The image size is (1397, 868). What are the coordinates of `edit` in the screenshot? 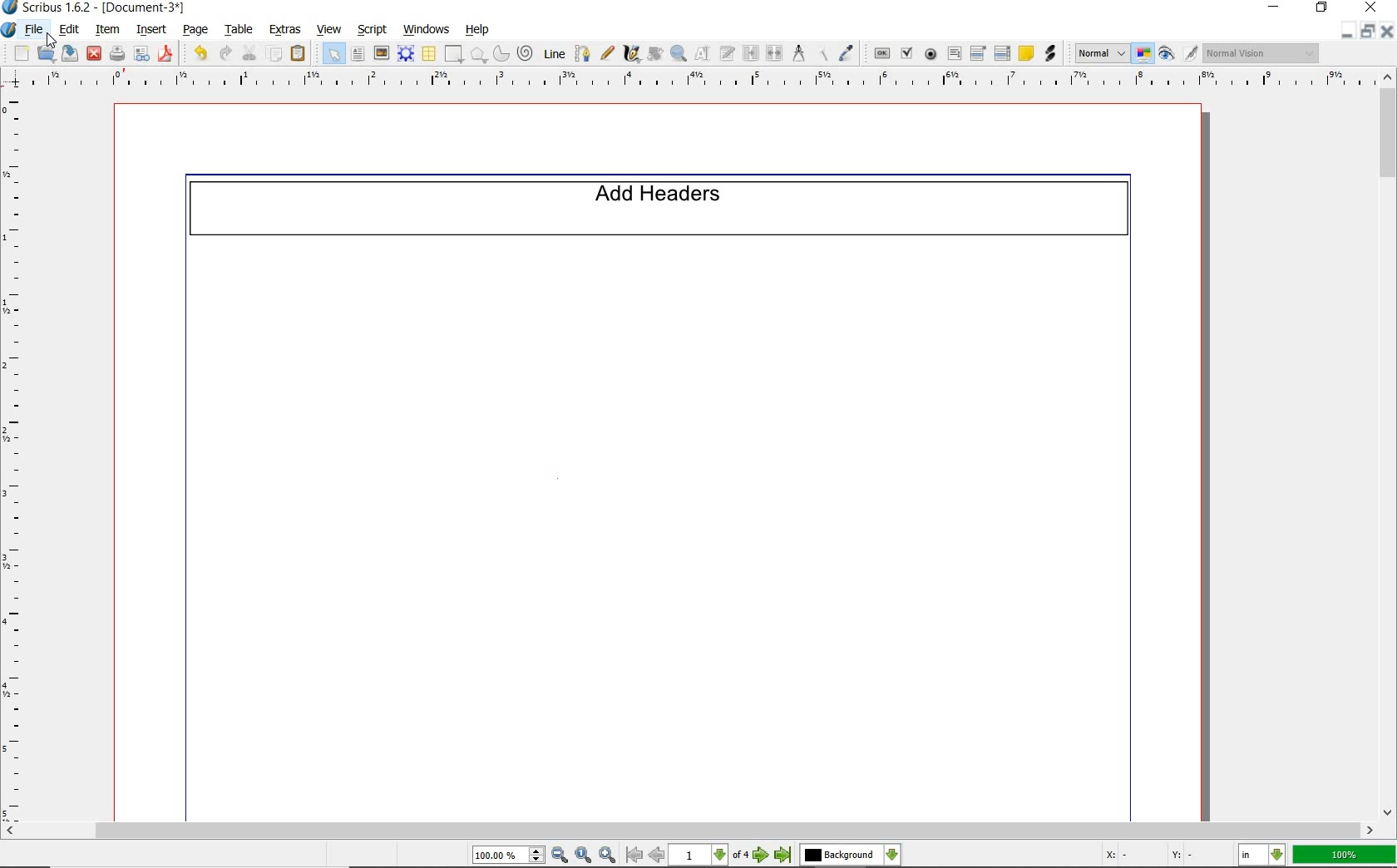 It's located at (68, 30).